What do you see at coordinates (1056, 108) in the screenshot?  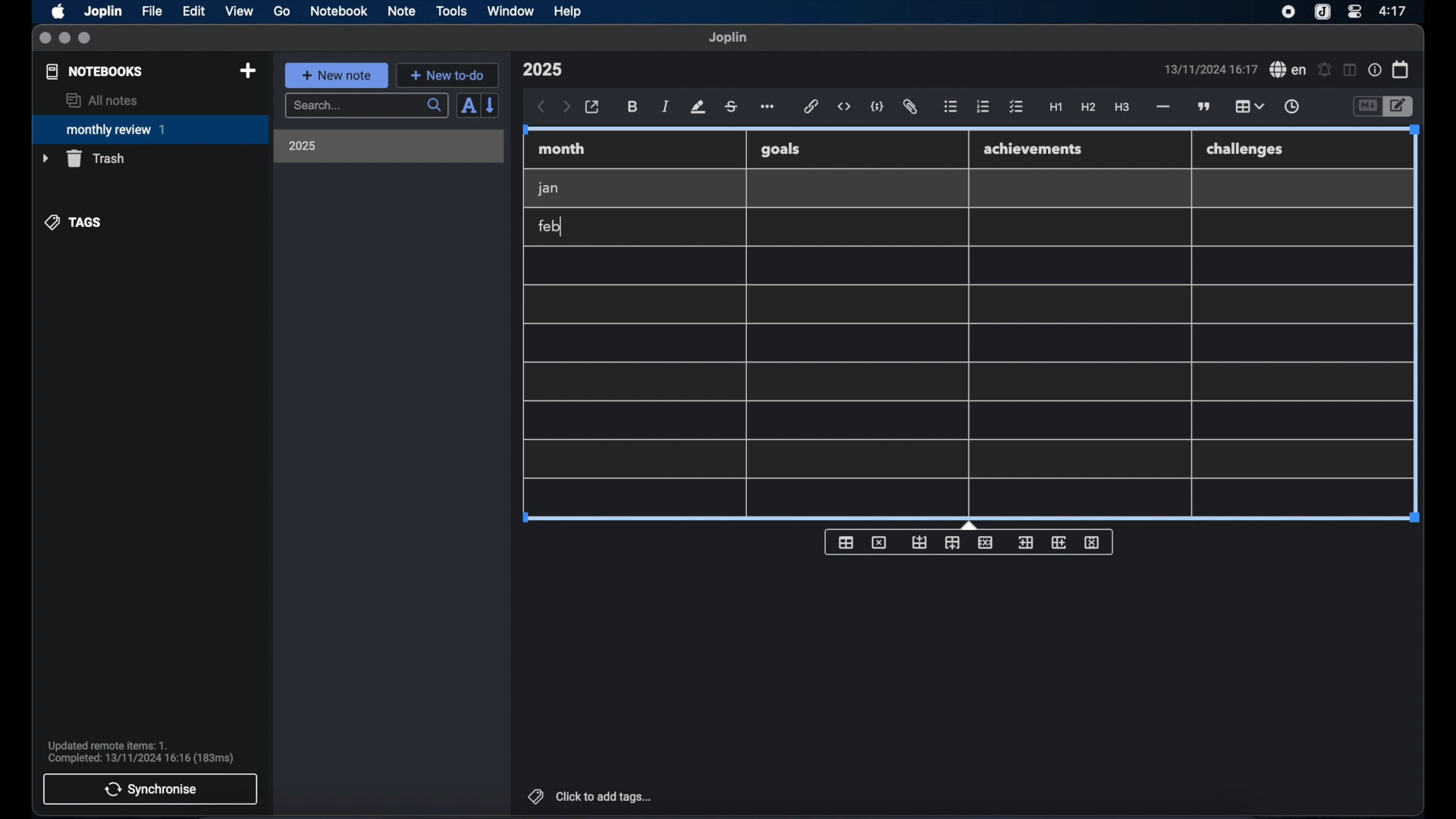 I see `heading 1` at bounding box center [1056, 108].